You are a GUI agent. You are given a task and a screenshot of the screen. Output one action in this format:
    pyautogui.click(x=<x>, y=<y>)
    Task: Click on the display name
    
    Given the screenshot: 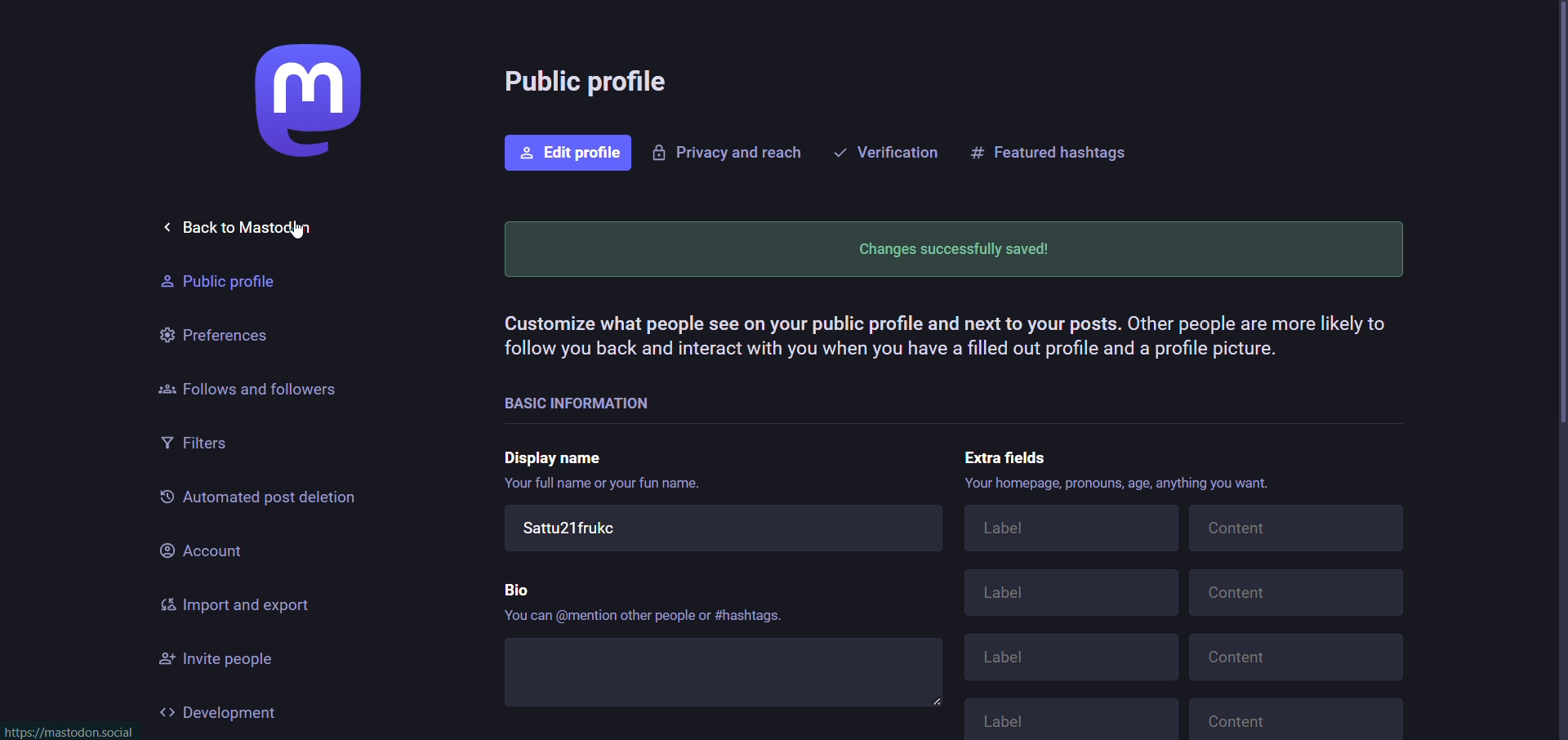 What is the action you would take?
    pyautogui.click(x=559, y=456)
    